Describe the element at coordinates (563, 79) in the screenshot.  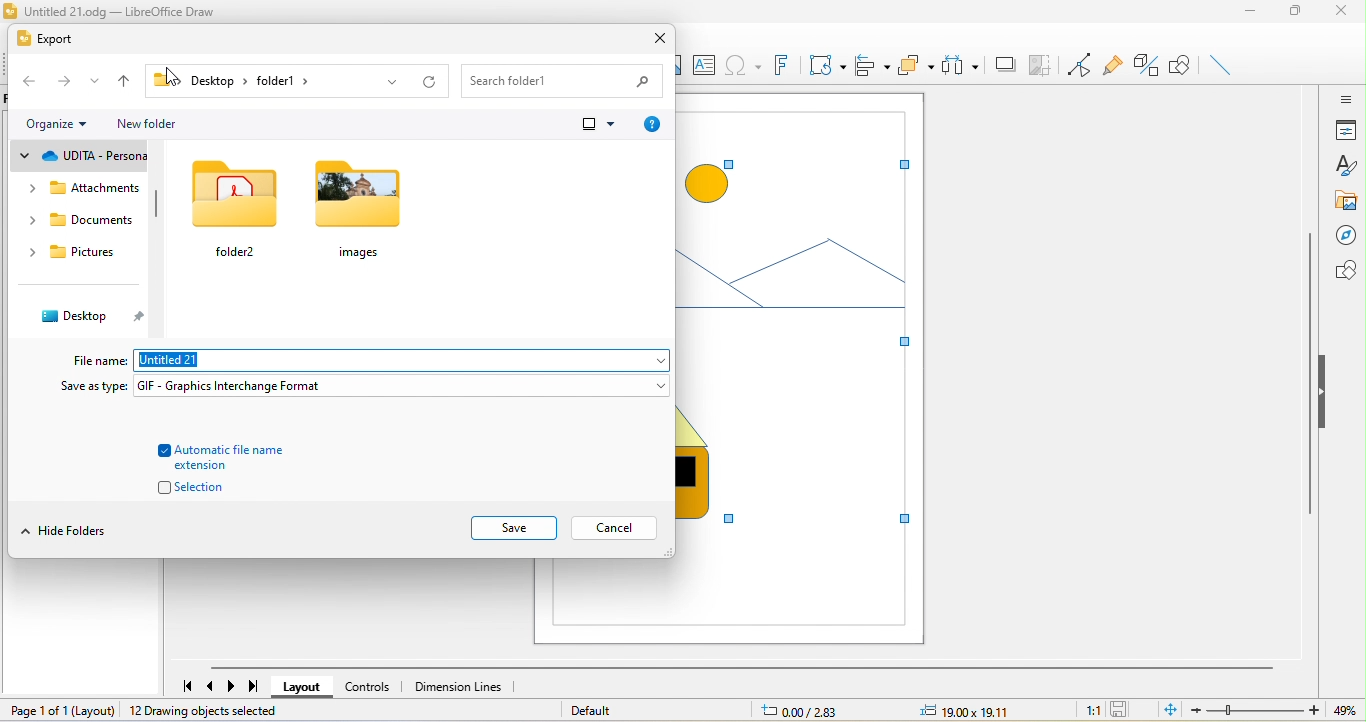
I see `search` at that location.